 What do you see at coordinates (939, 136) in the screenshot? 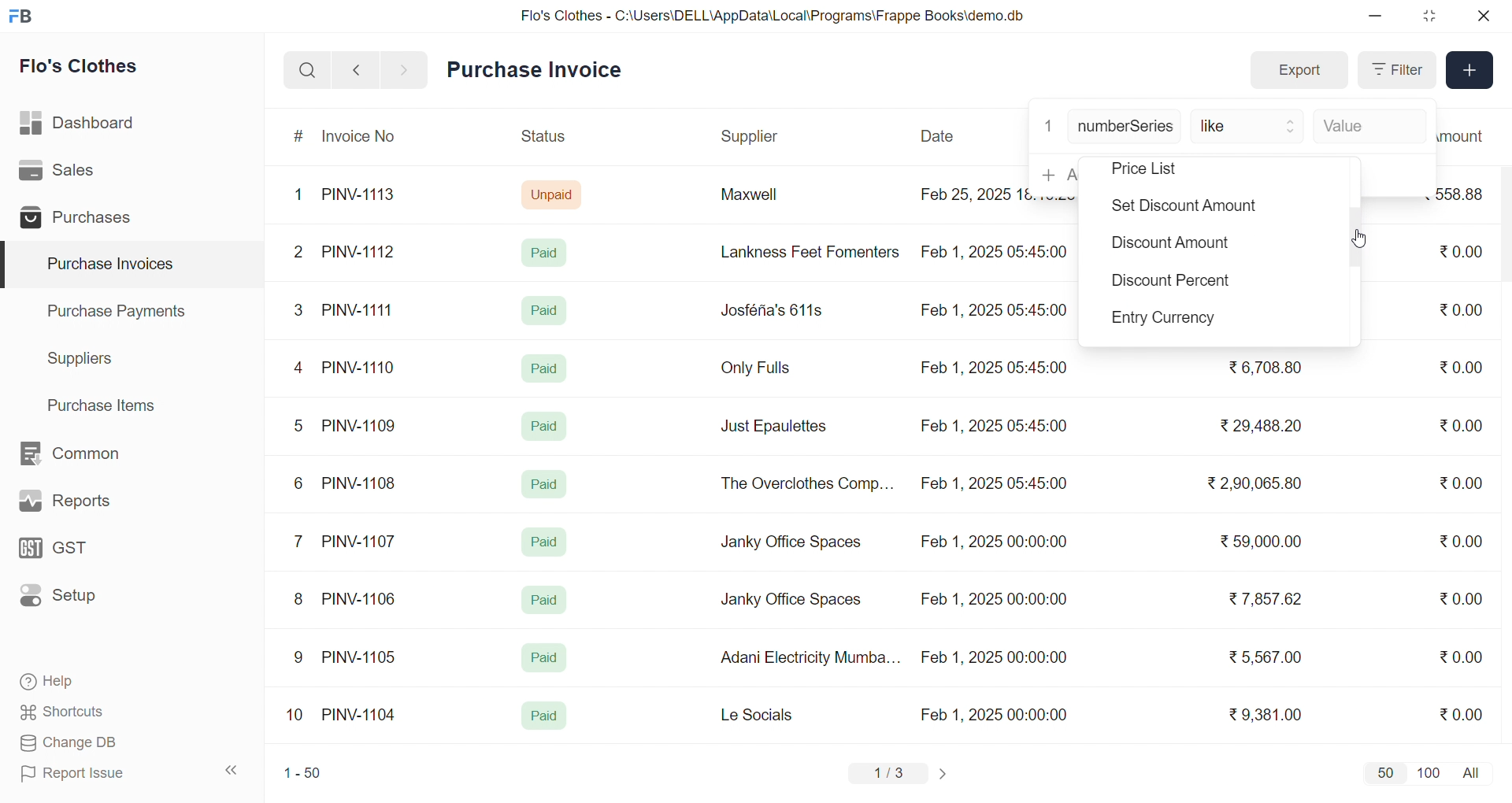
I see `Date` at bounding box center [939, 136].